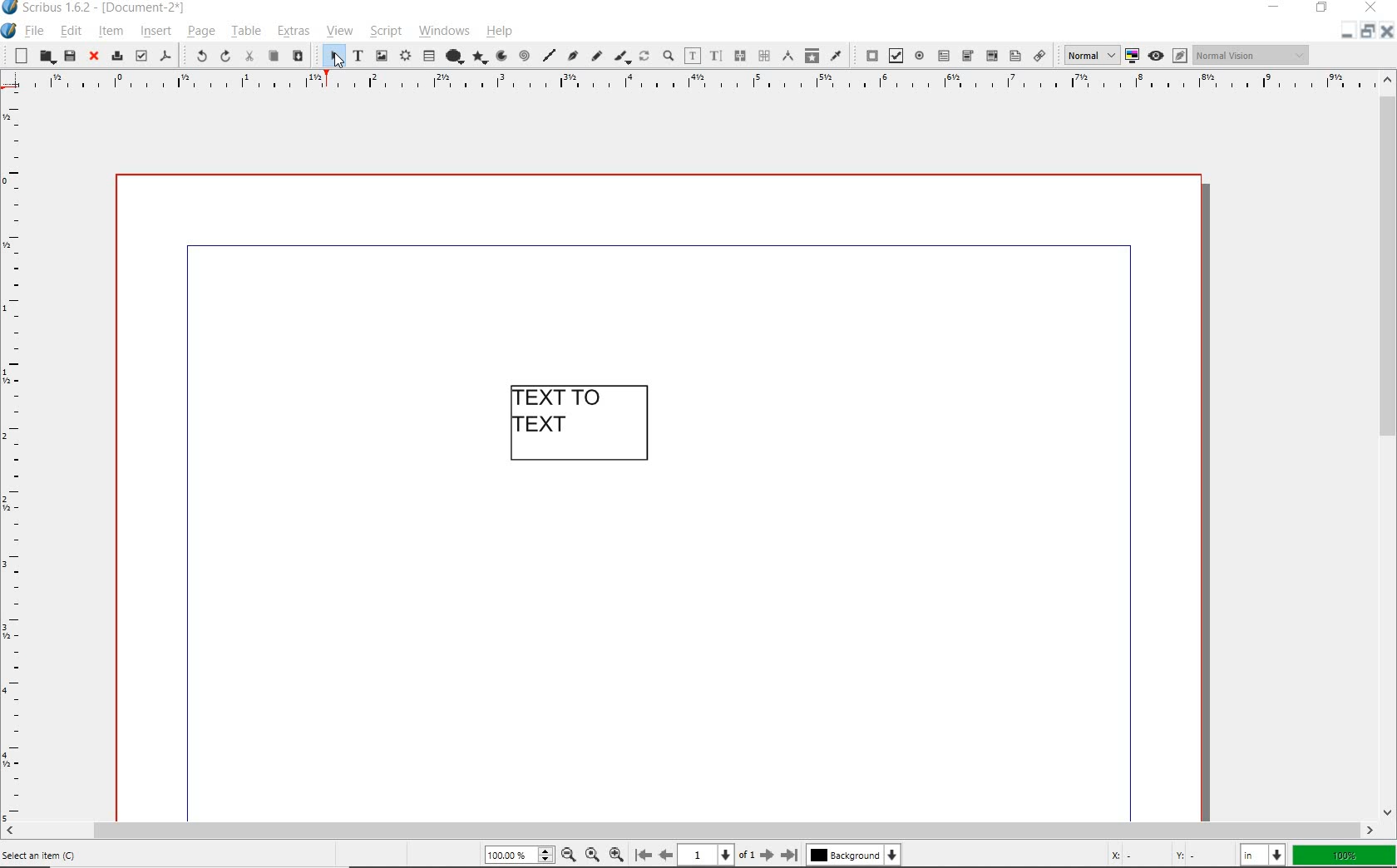 This screenshot has height=868, width=1397. I want to click on item, so click(109, 32).